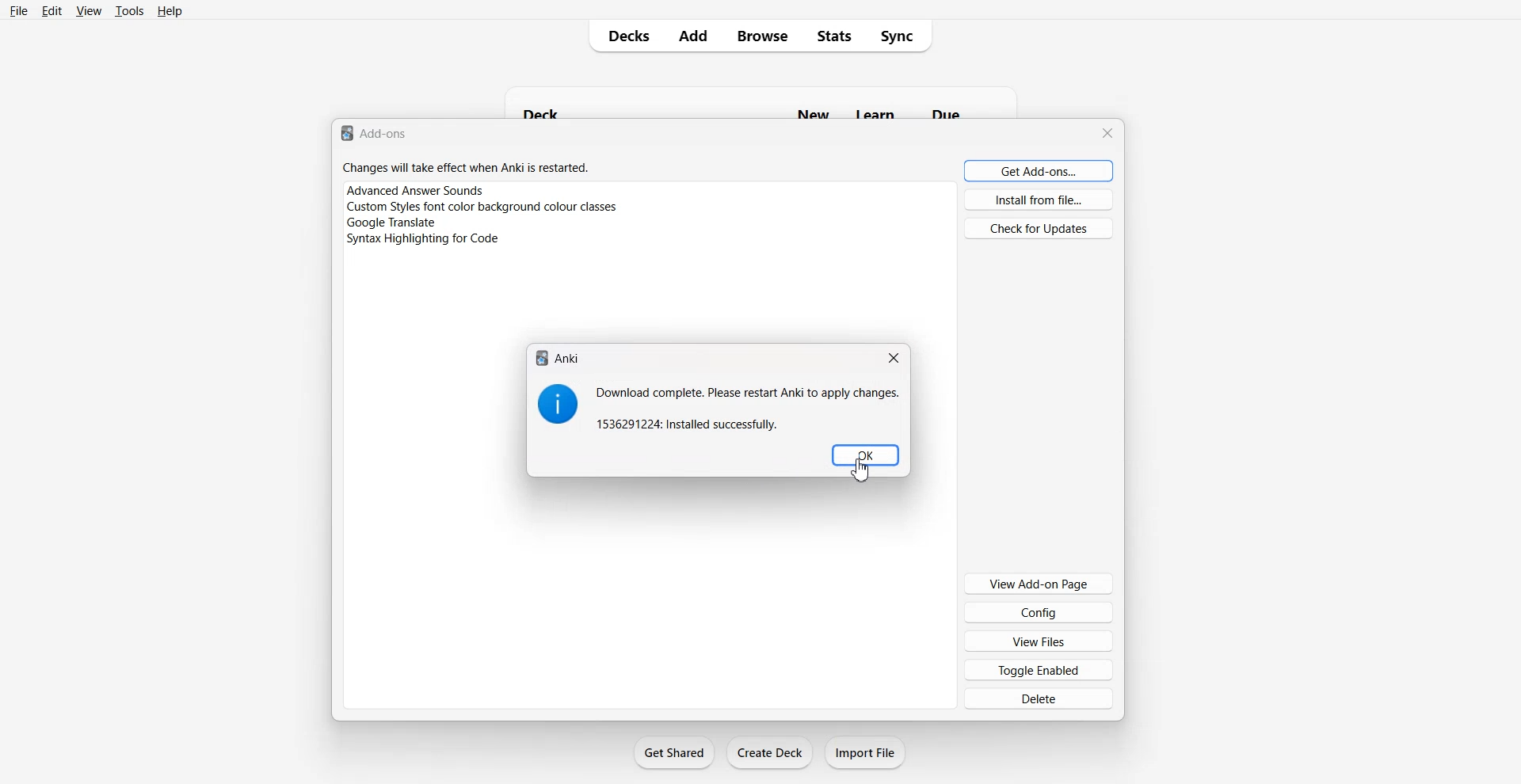 Image resolution: width=1521 pixels, height=784 pixels. Describe the element at coordinates (1039, 170) in the screenshot. I see `Get Add-ons` at that location.